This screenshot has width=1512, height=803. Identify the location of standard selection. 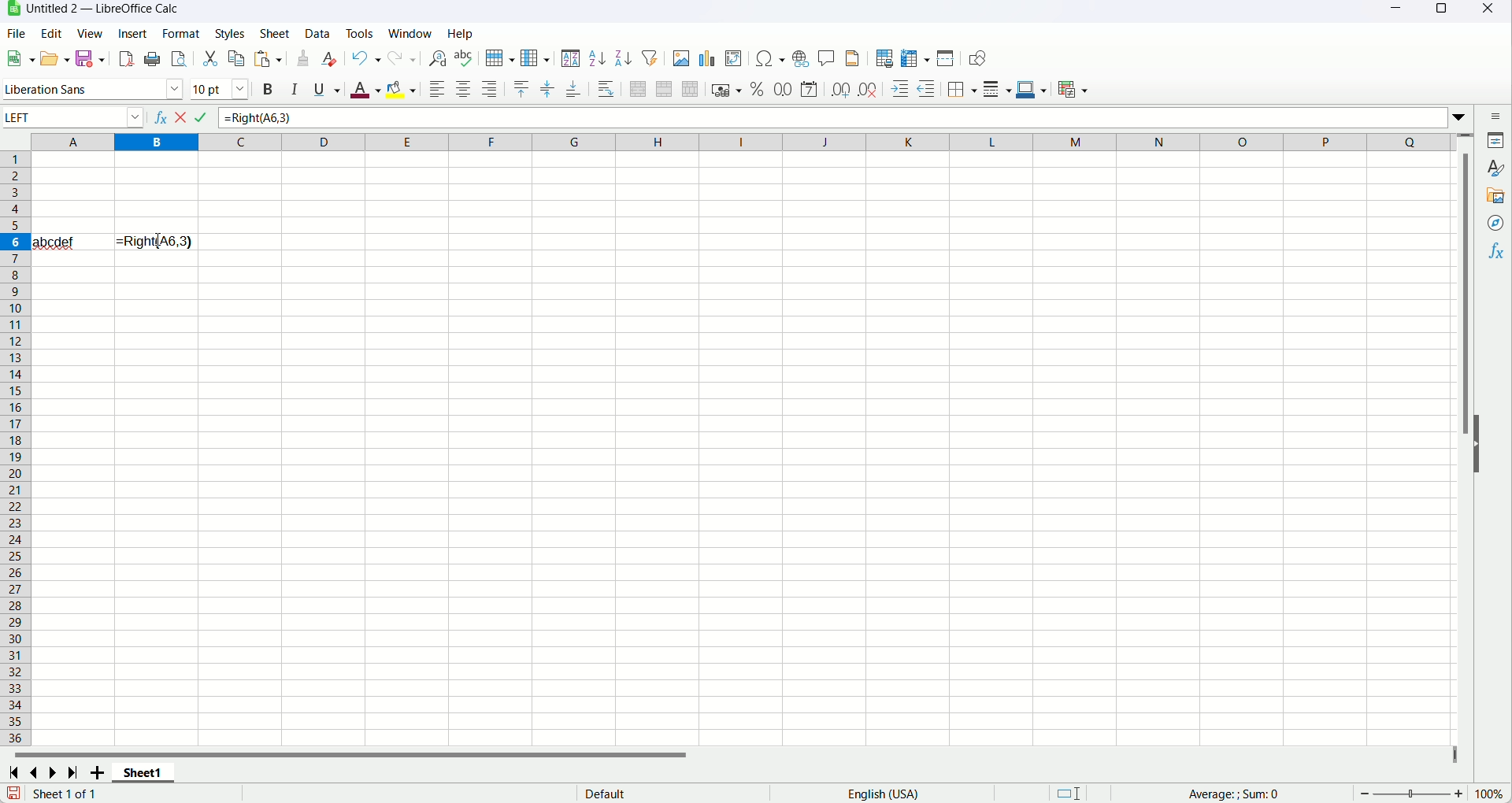
(1069, 792).